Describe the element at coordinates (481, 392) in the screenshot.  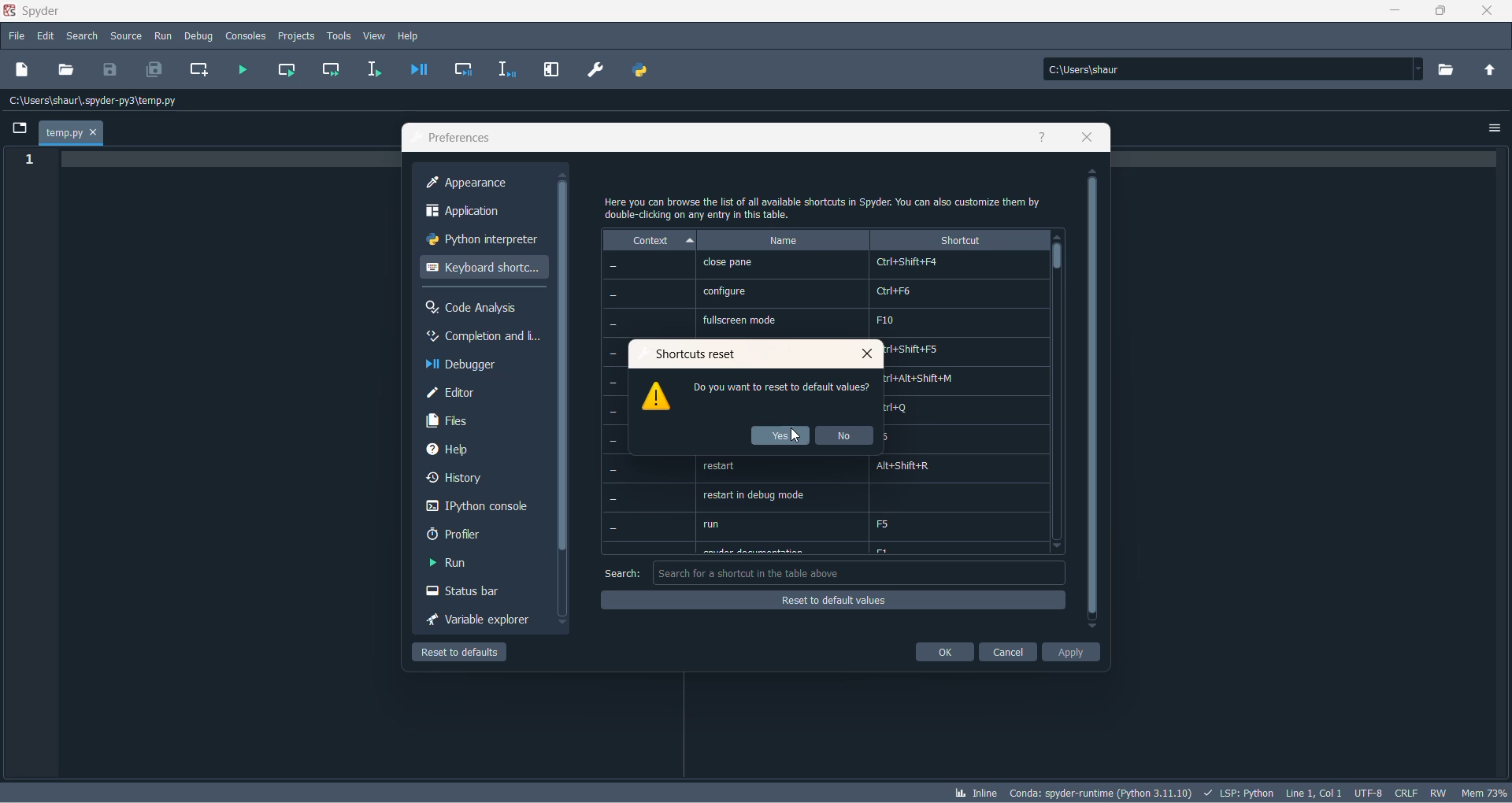
I see `editor` at that location.